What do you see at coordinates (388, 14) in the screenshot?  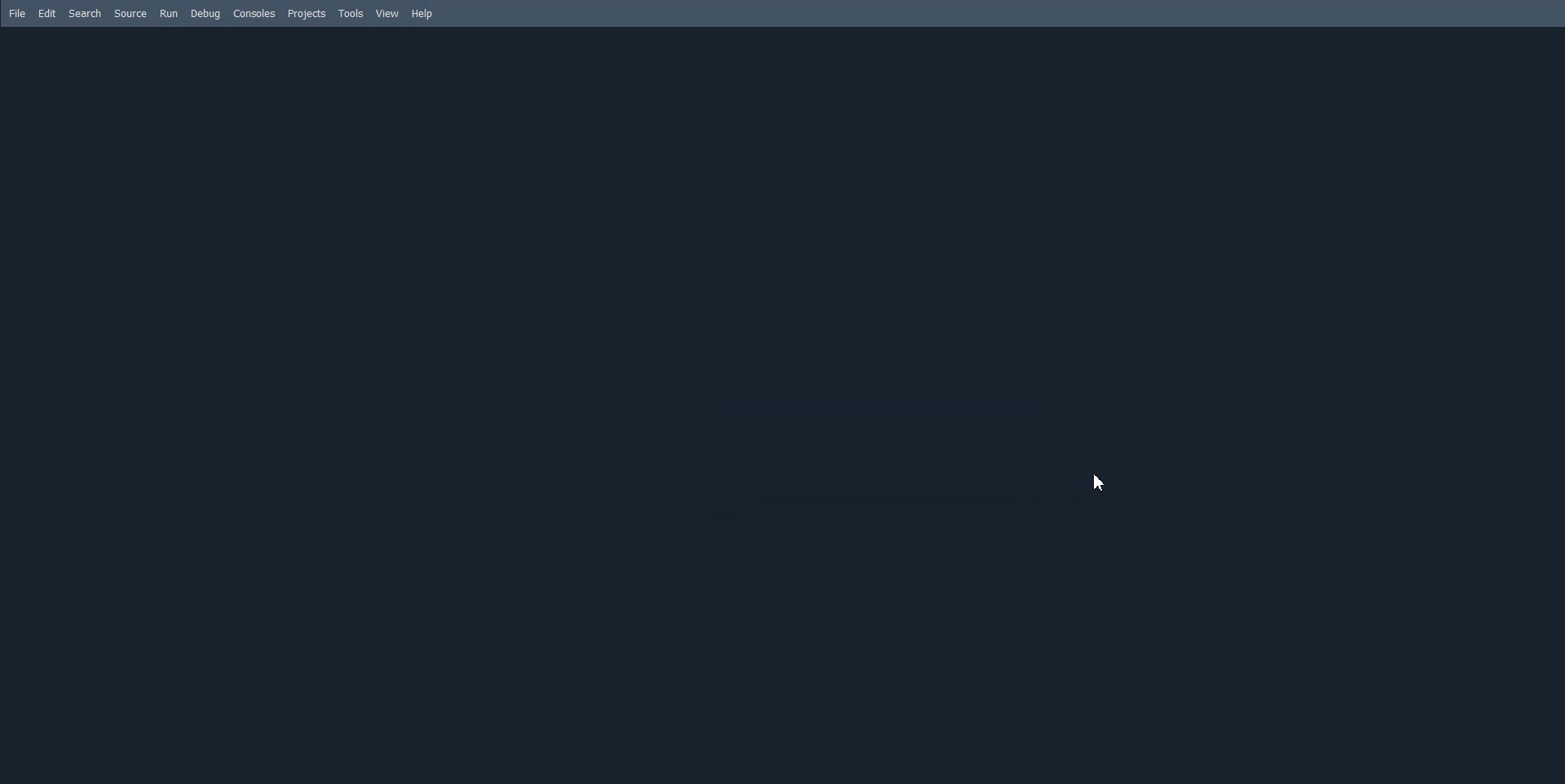 I see `View` at bounding box center [388, 14].